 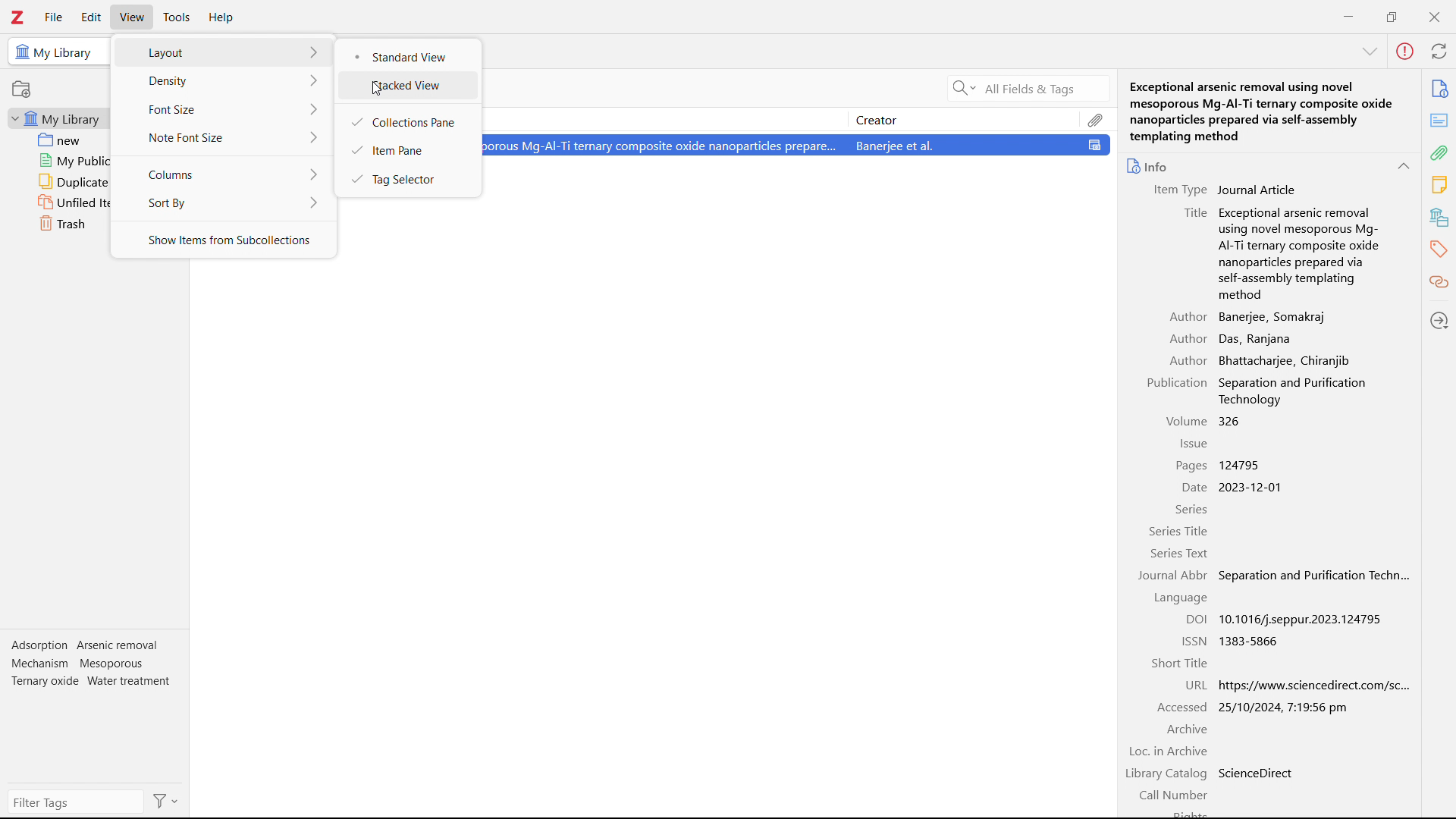 I want to click on Exceptional arsenic removal using novel
mesoporous Mg-Al-Ti ternary composite oxide
nanoparticles prepared via self-assembly
templating method, so click(x=1263, y=110).